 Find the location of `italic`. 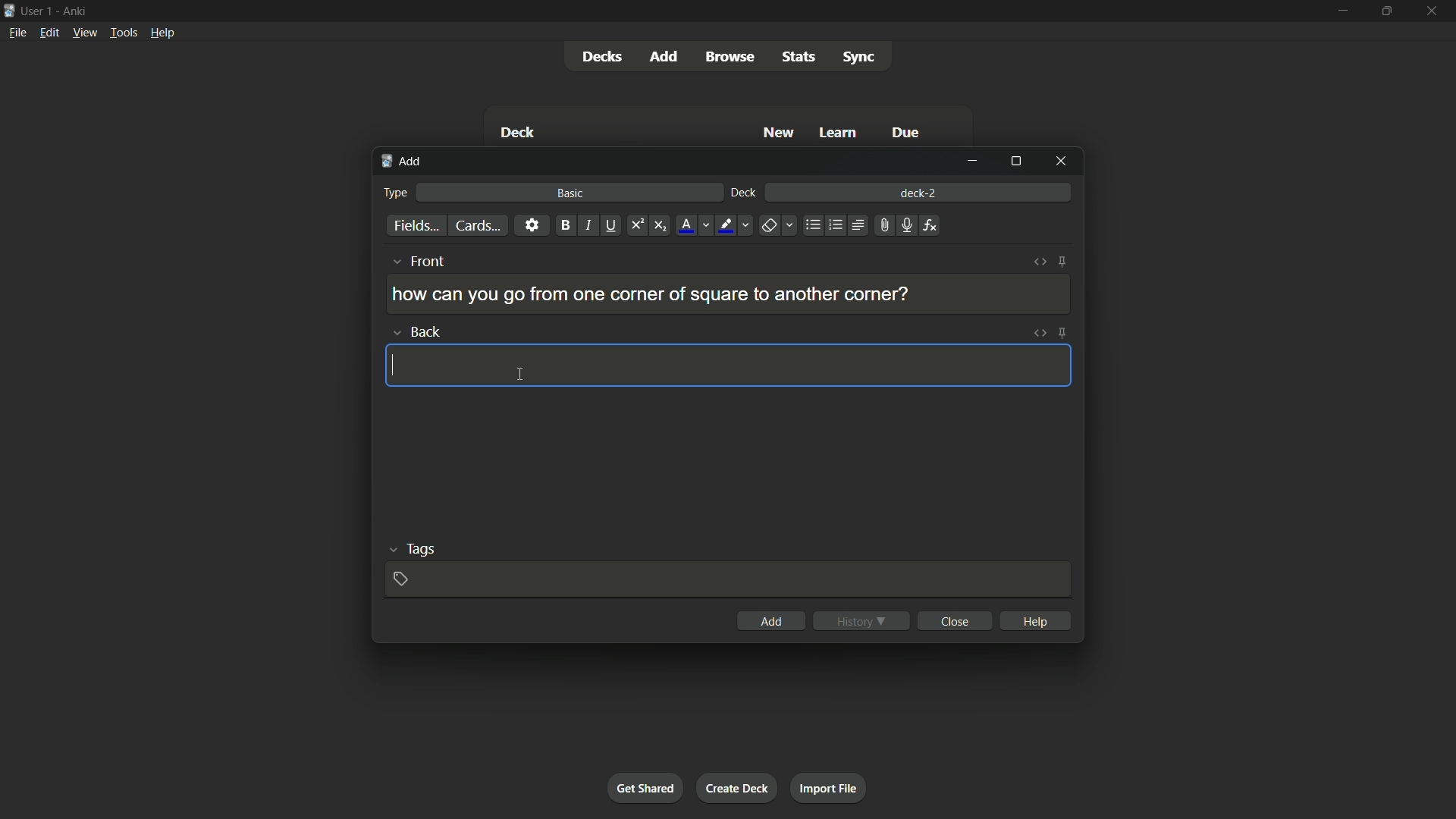

italic is located at coordinates (587, 226).